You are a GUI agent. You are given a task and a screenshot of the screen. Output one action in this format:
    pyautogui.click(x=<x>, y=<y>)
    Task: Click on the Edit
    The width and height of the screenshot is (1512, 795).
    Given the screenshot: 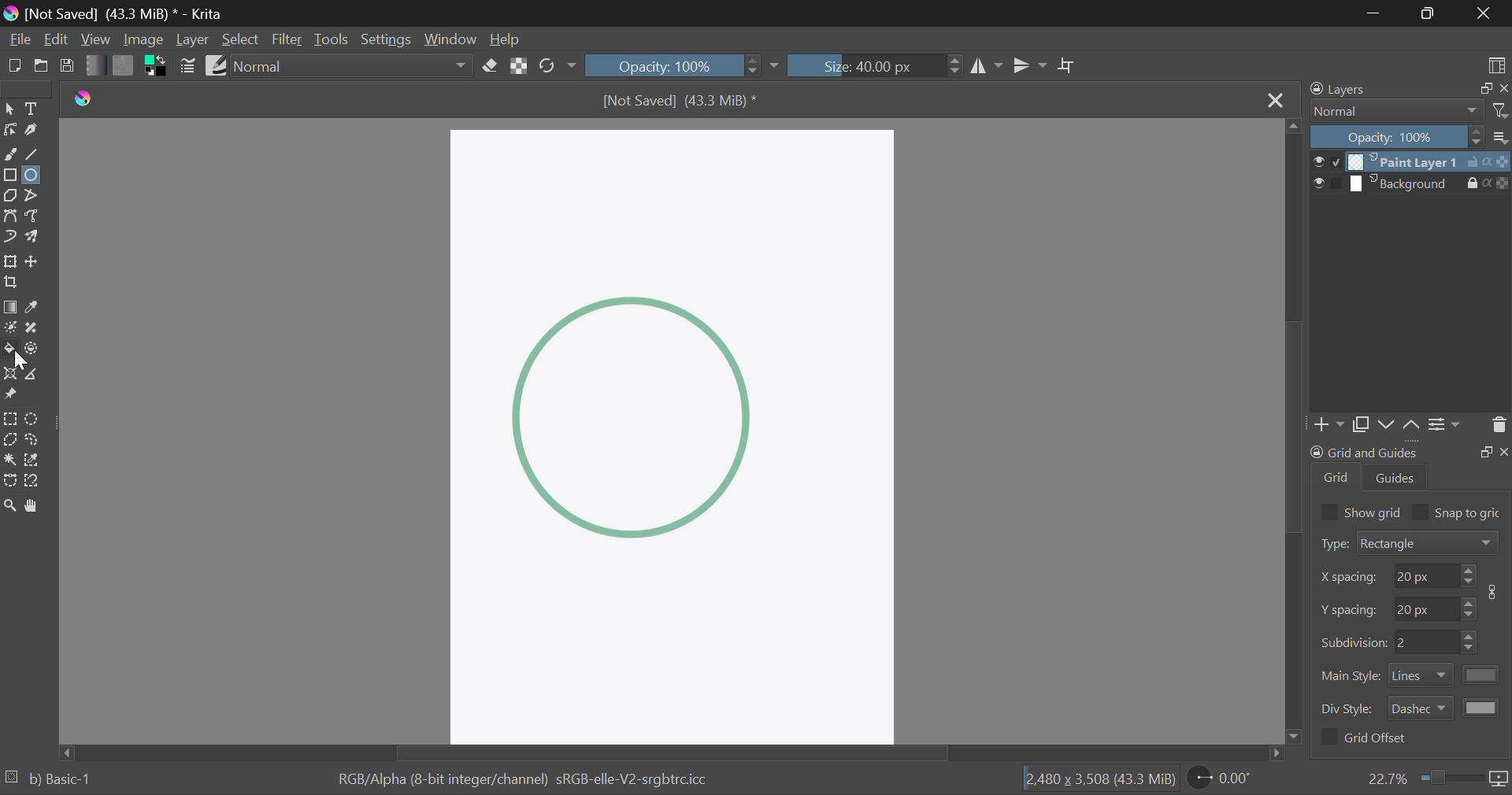 What is the action you would take?
    pyautogui.click(x=57, y=39)
    